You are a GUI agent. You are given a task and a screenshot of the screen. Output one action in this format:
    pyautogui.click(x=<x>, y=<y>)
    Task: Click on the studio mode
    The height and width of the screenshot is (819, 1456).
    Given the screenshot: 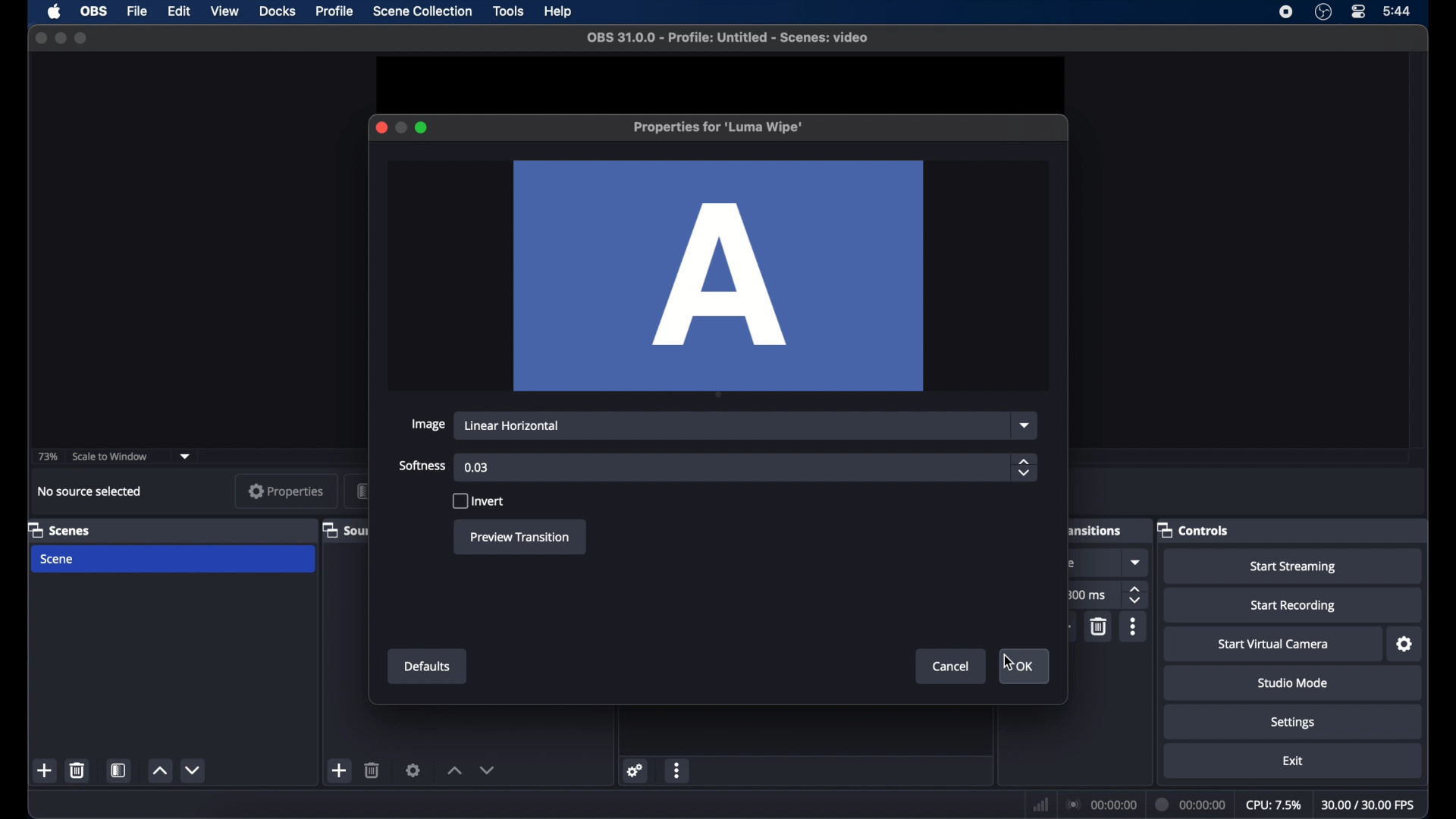 What is the action you would take?
    pyautogui.click(x=1293, y=683)
    